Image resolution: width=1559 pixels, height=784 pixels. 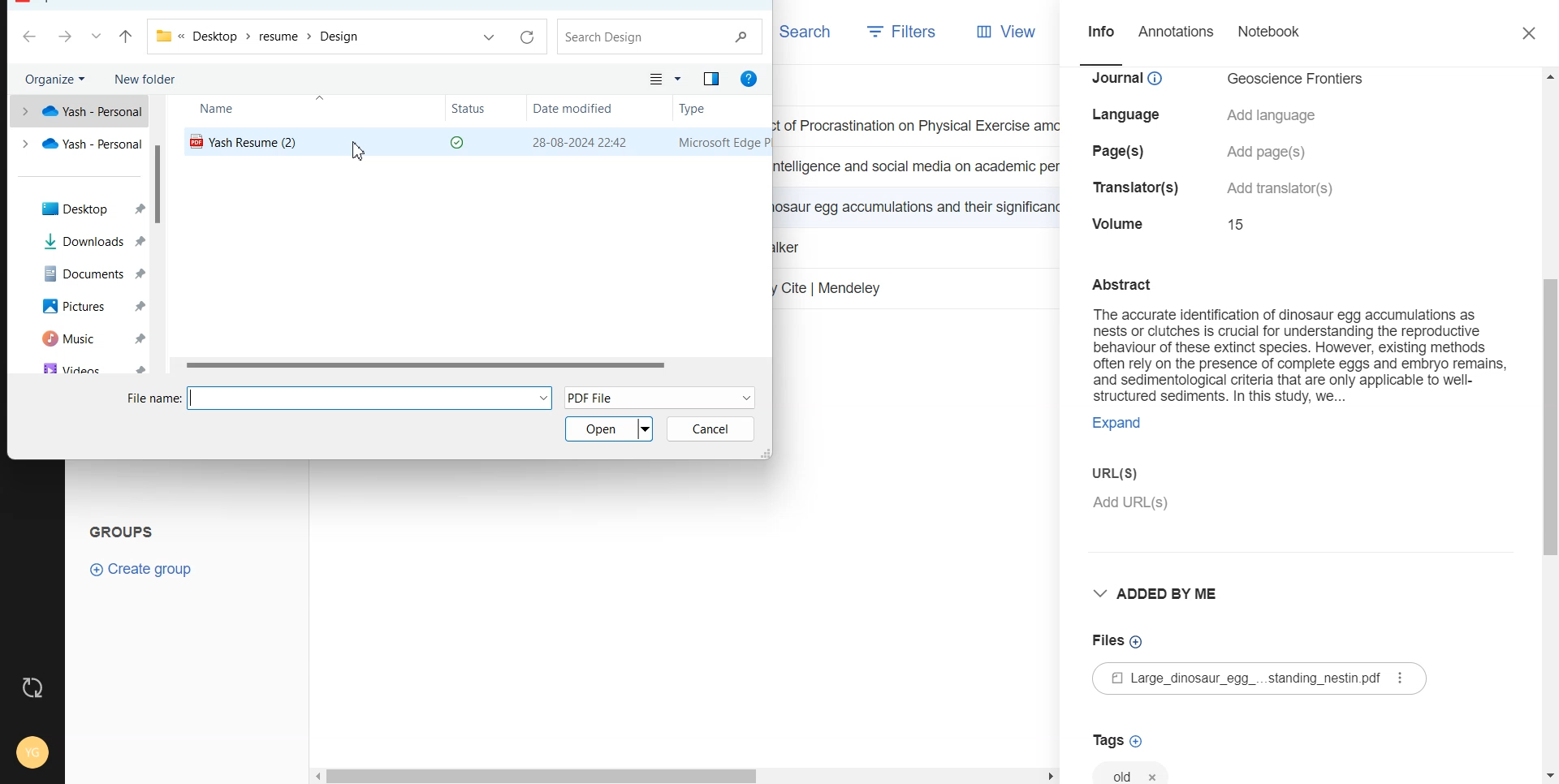 I want to click on File, so click(x=245, y=142).